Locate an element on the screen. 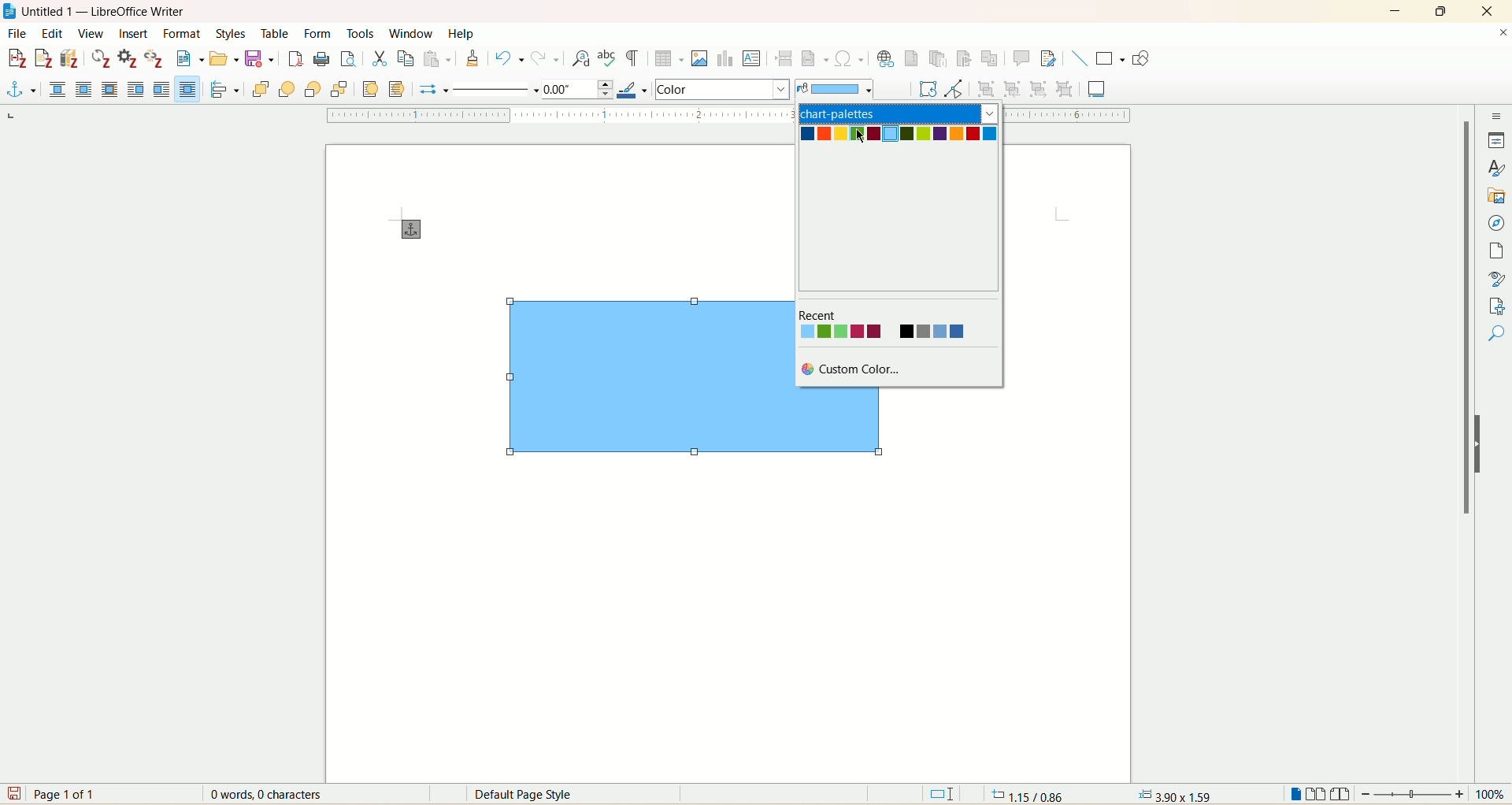 The image size is (1512, 805). document preferences is located at coordinates (126, 59).